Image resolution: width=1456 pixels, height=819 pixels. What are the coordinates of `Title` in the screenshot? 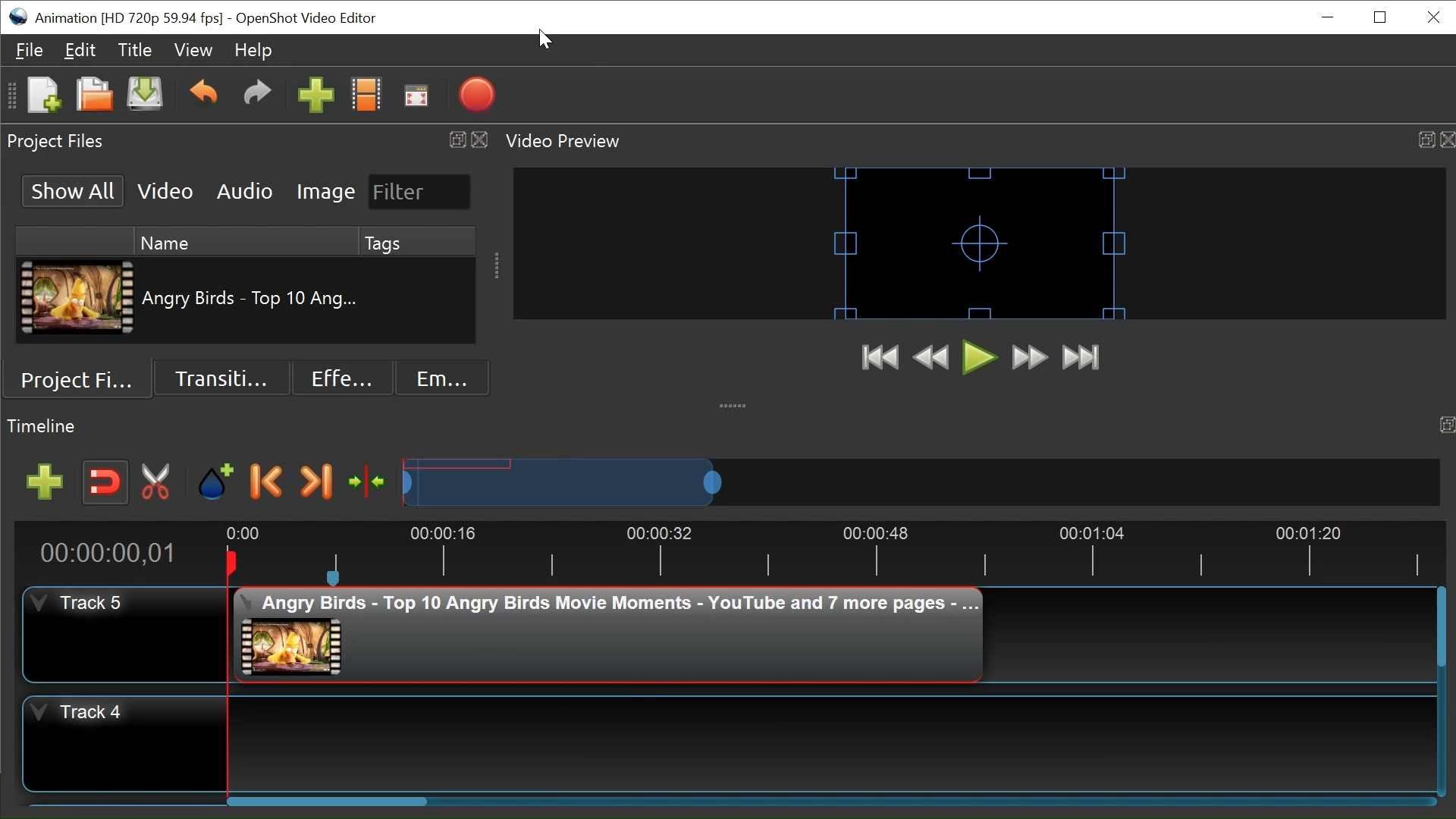 It's located at (135, 52).